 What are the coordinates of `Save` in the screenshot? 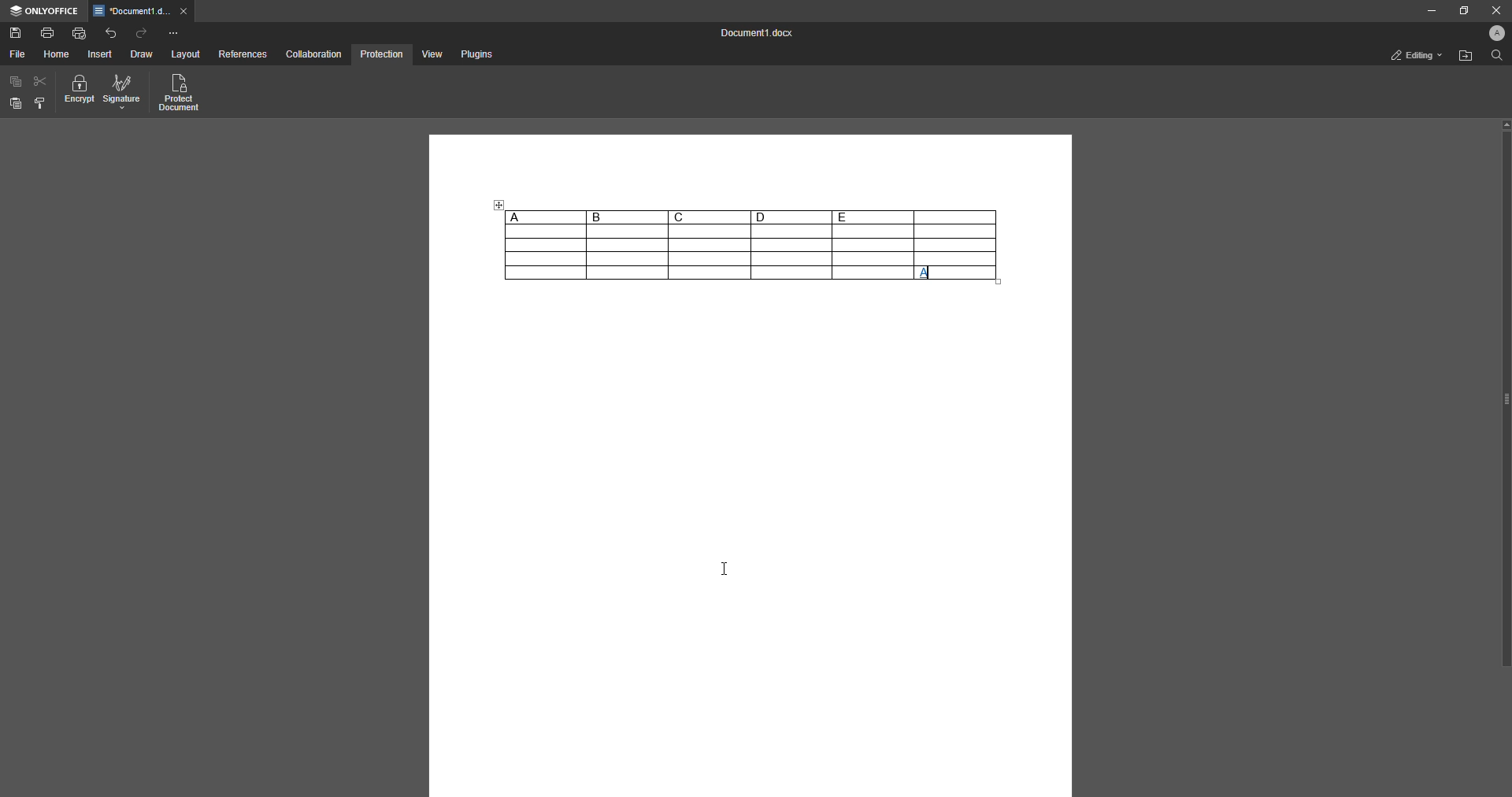 It's located at (16, 34).